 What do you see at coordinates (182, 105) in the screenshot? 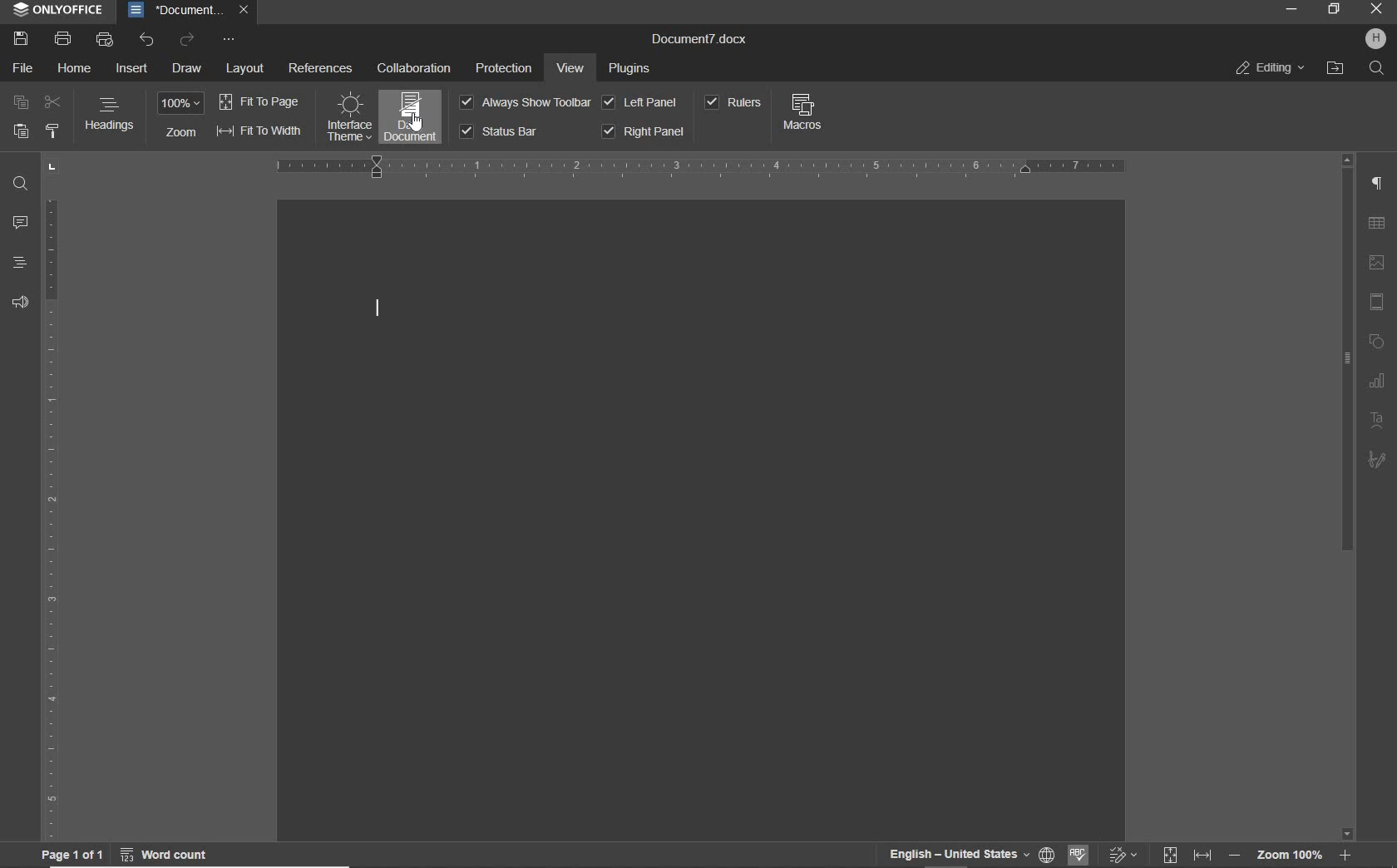
I see `ZOOM` at bounding box center [182, 105].